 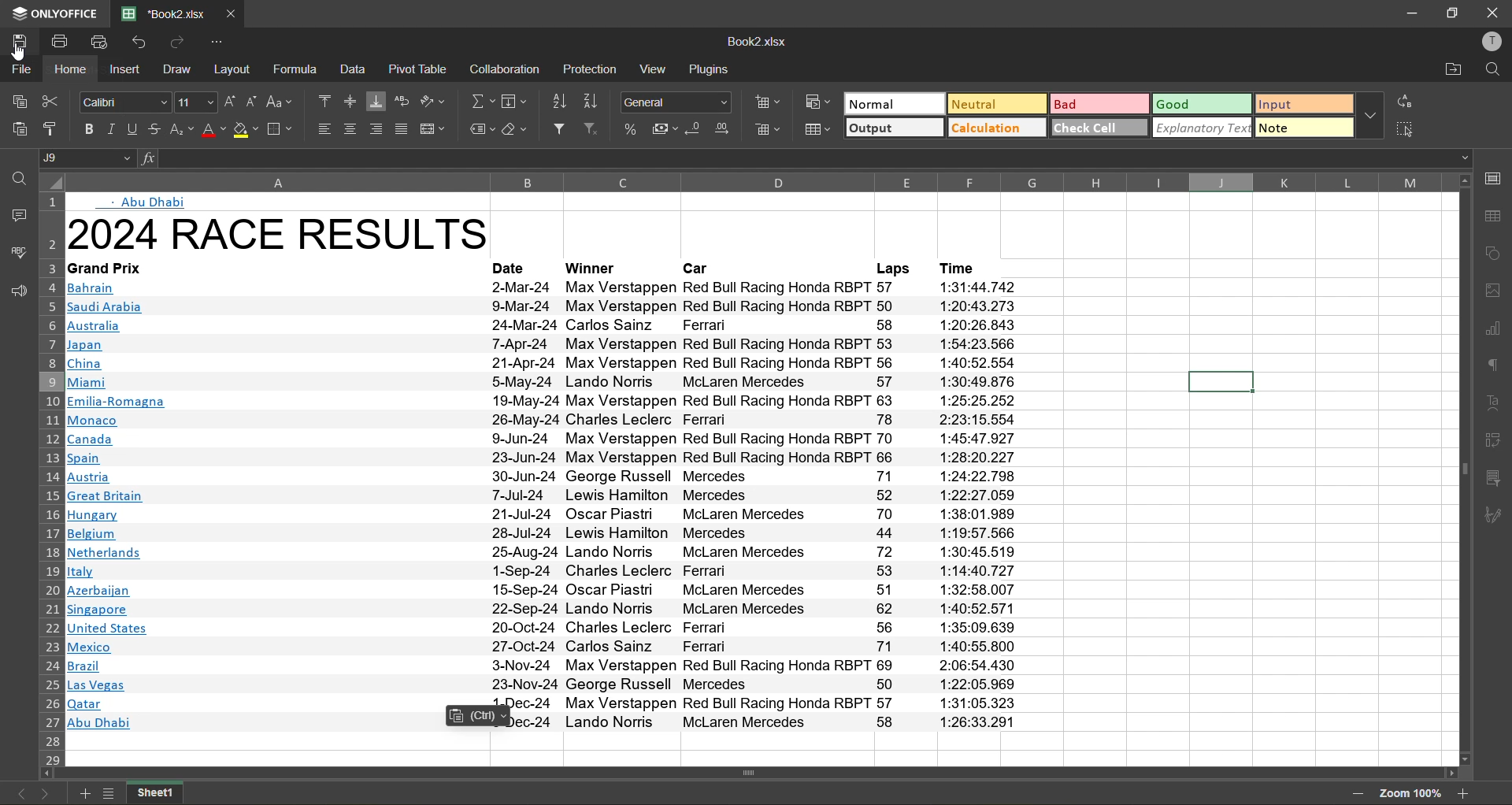 What do you see at coordinates (543, 591) in the screenshot?
I see `text info` at bounding box center [543, 591].